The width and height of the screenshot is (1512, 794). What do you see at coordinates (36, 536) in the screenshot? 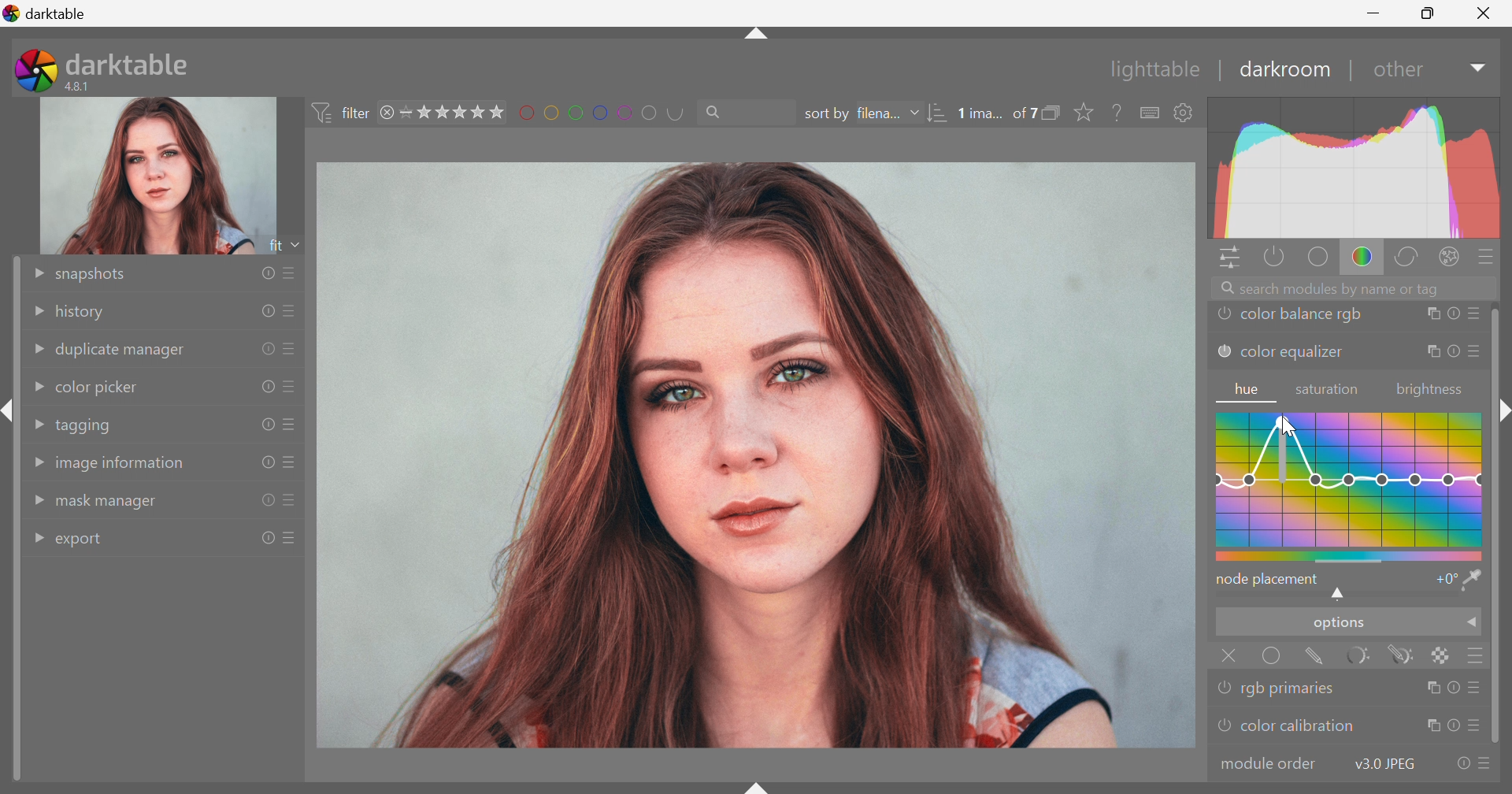
I see `Drop Down` at bounding box center [36, 536].